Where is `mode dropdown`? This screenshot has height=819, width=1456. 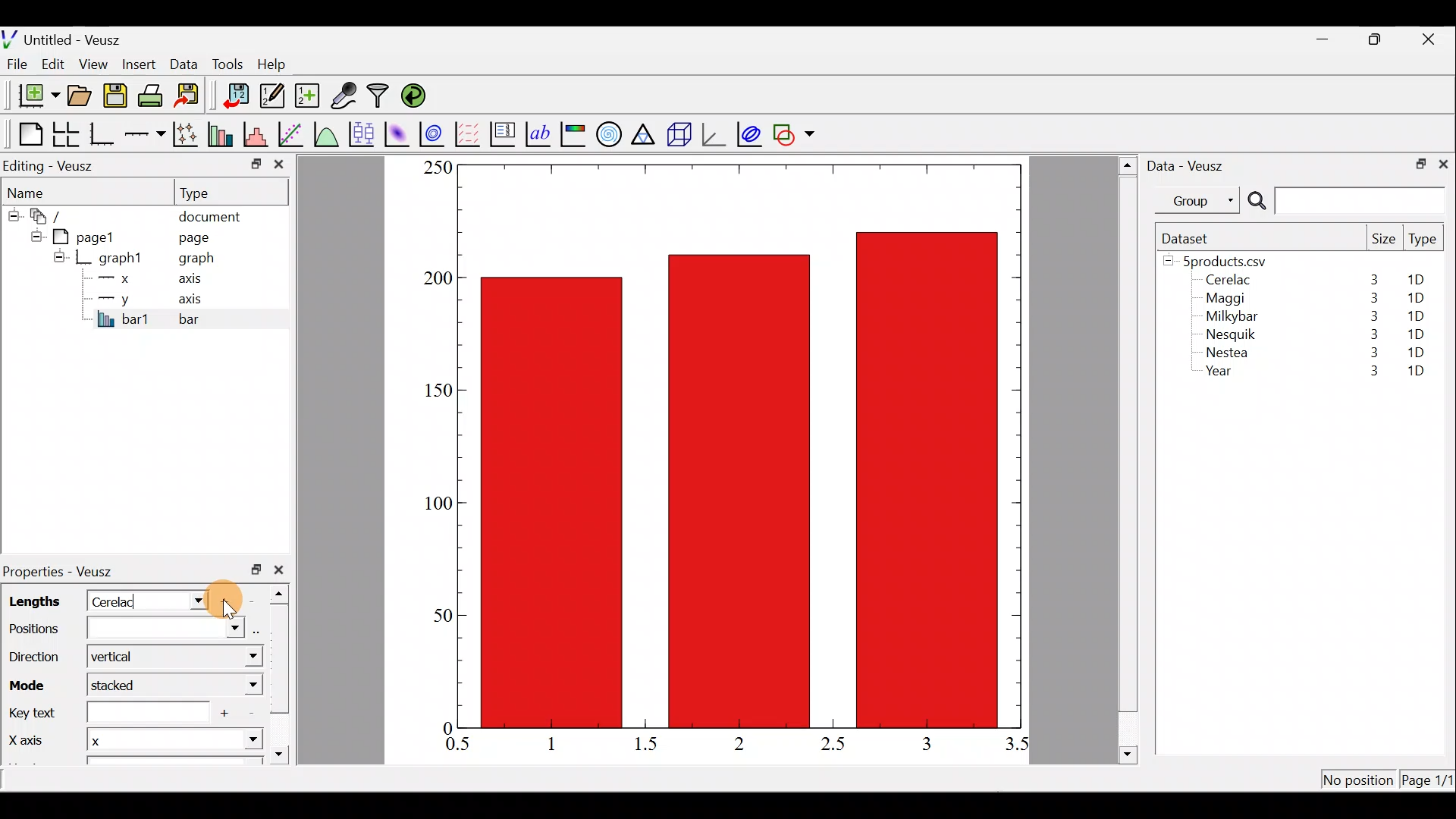
mode dropdown is located at coordinates (238, 686).